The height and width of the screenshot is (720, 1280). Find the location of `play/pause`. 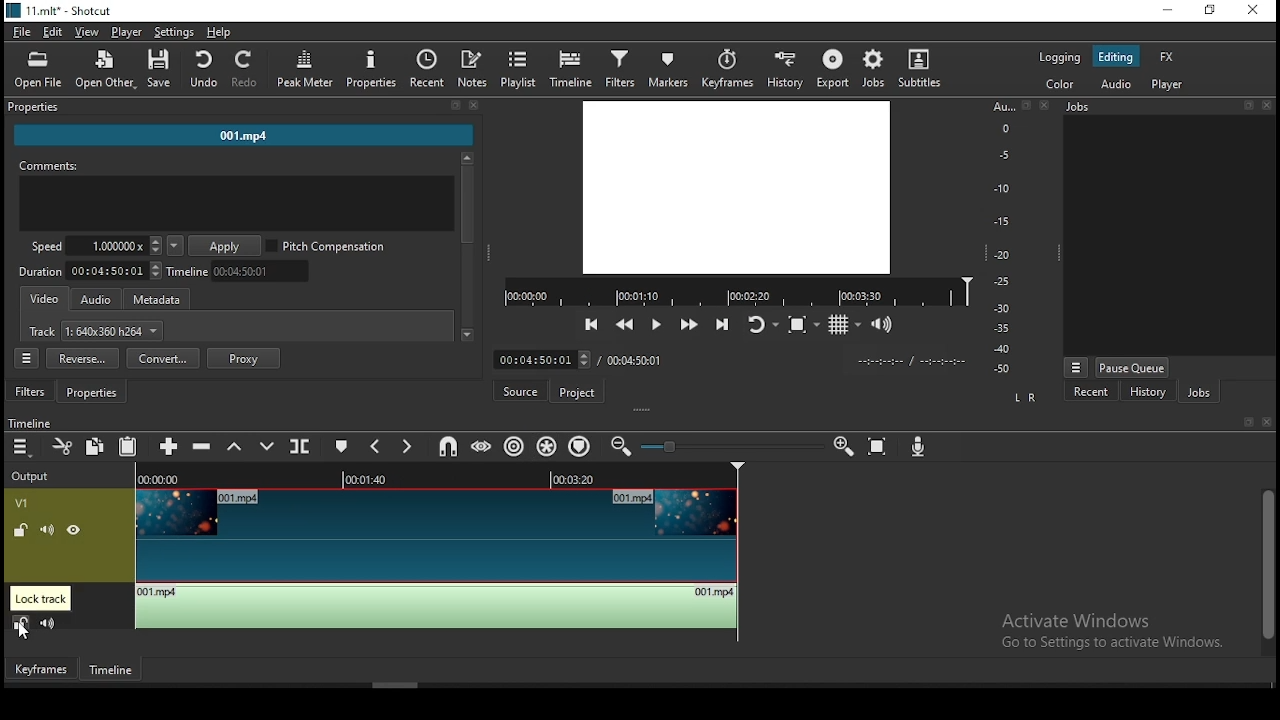

play/pause is located at coordinates (655, 322).